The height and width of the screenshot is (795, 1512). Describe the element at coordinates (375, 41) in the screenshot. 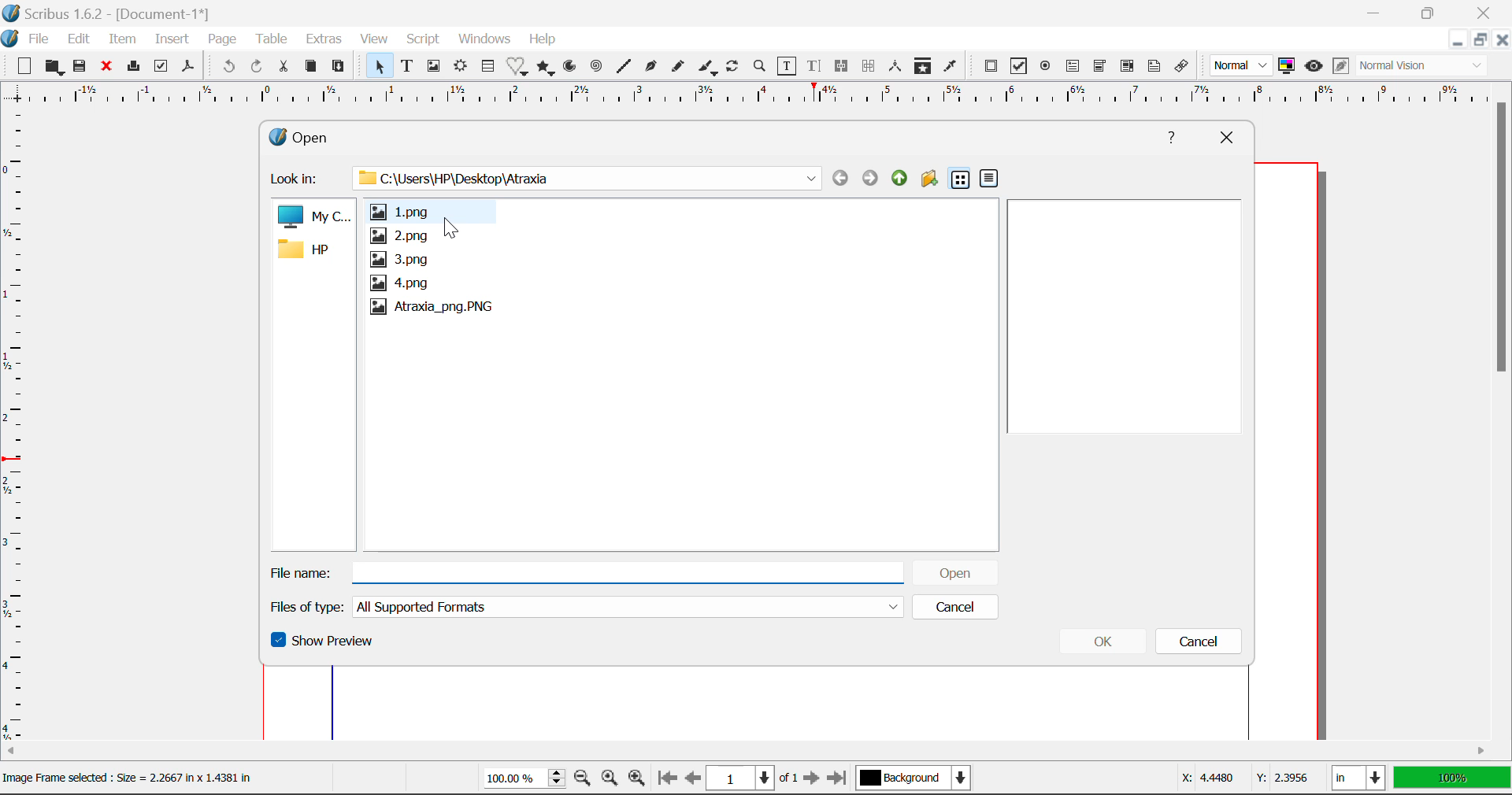

I see `View` at that location.